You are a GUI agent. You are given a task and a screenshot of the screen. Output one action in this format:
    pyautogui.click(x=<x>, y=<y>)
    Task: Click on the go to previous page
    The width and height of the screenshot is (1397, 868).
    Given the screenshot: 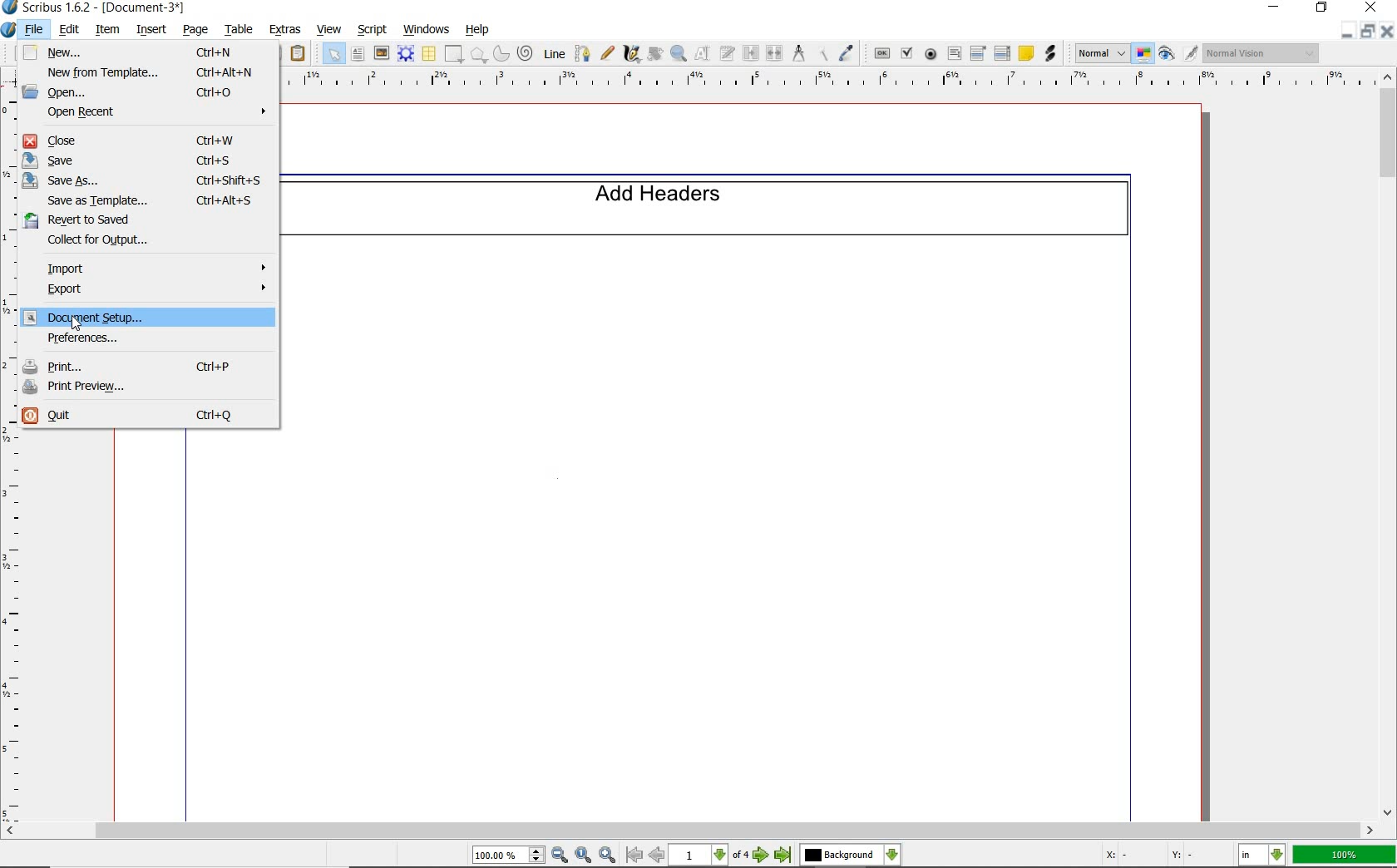 What is the action you would take?
    pyautogui.click(x=658, y=856)
    